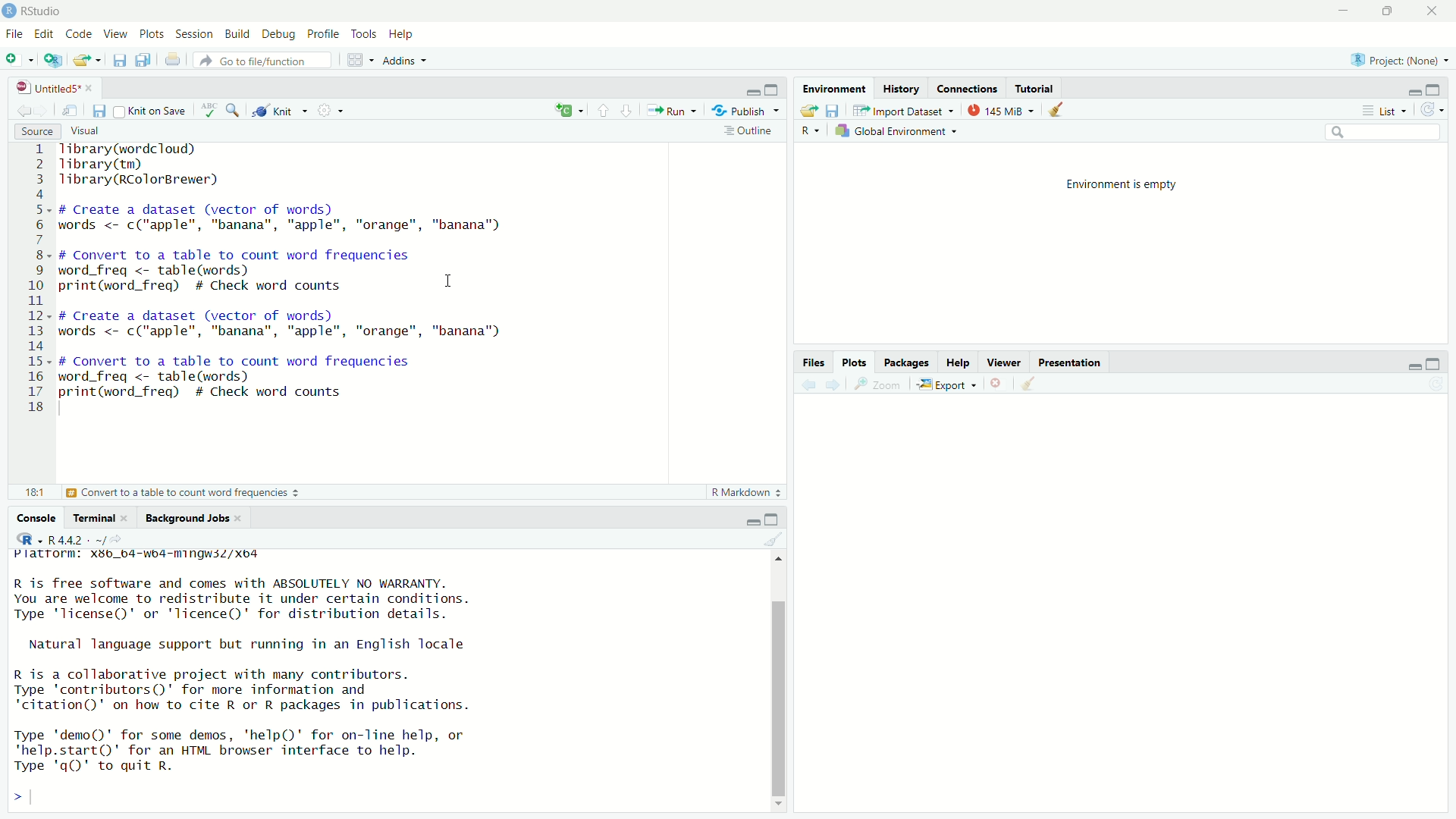 Image resolution: width=1456 pixels, height=819 pixels. I want to click on Delete selected files, so click(997, 383).